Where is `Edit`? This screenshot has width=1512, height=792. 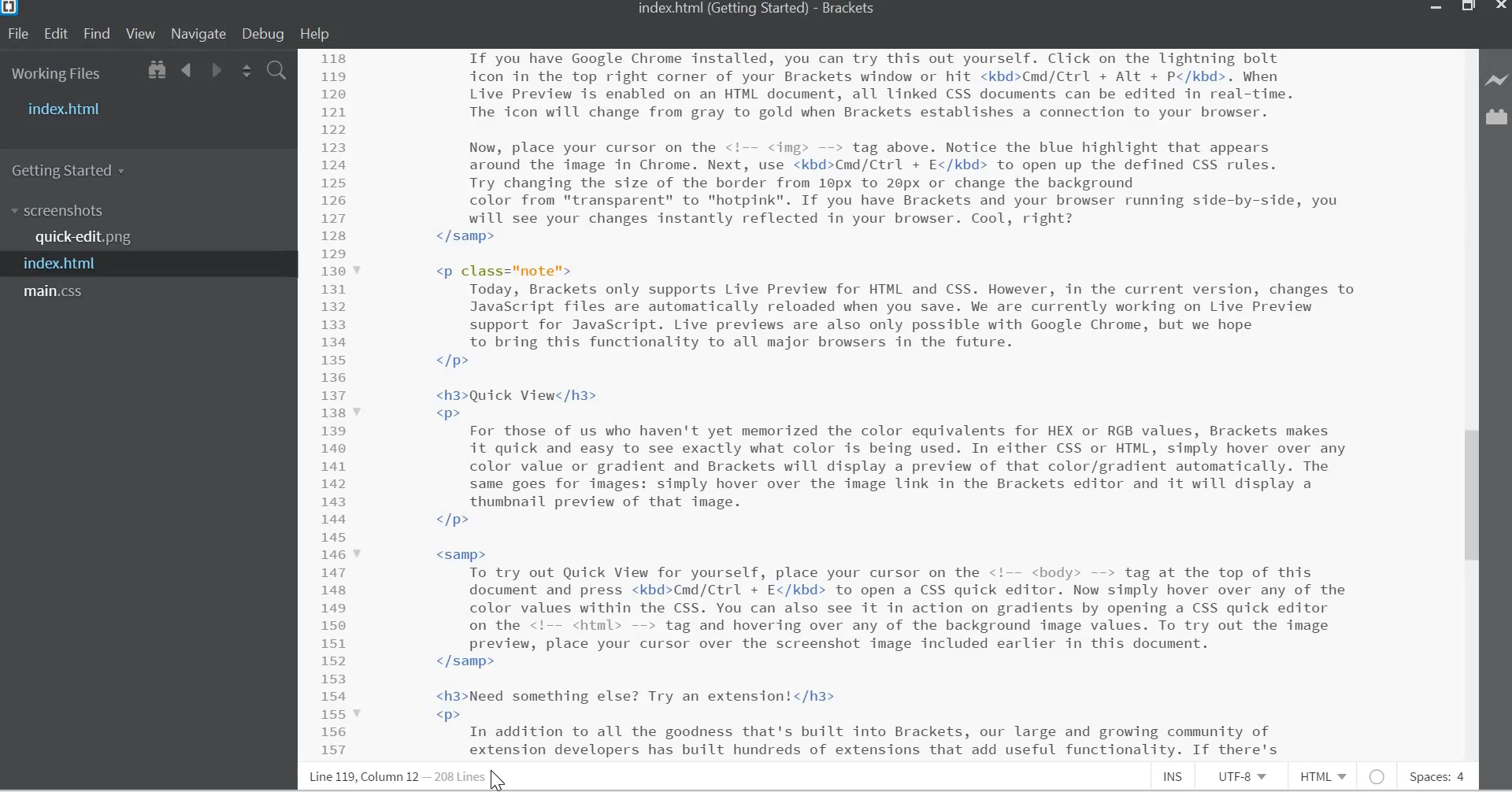
Edit is located at coordinates (55, 35).